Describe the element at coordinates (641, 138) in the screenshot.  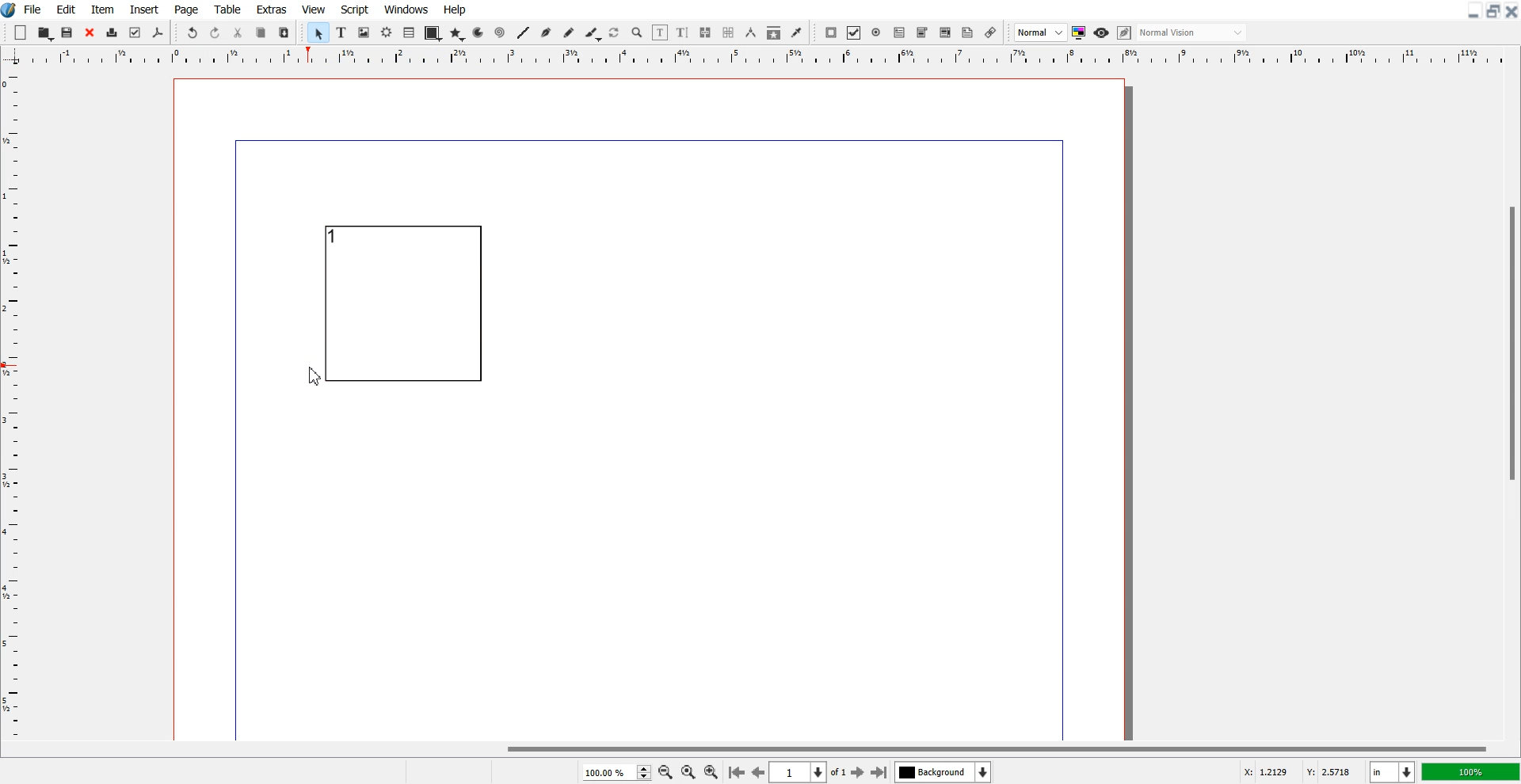
I see `margin` at that location.